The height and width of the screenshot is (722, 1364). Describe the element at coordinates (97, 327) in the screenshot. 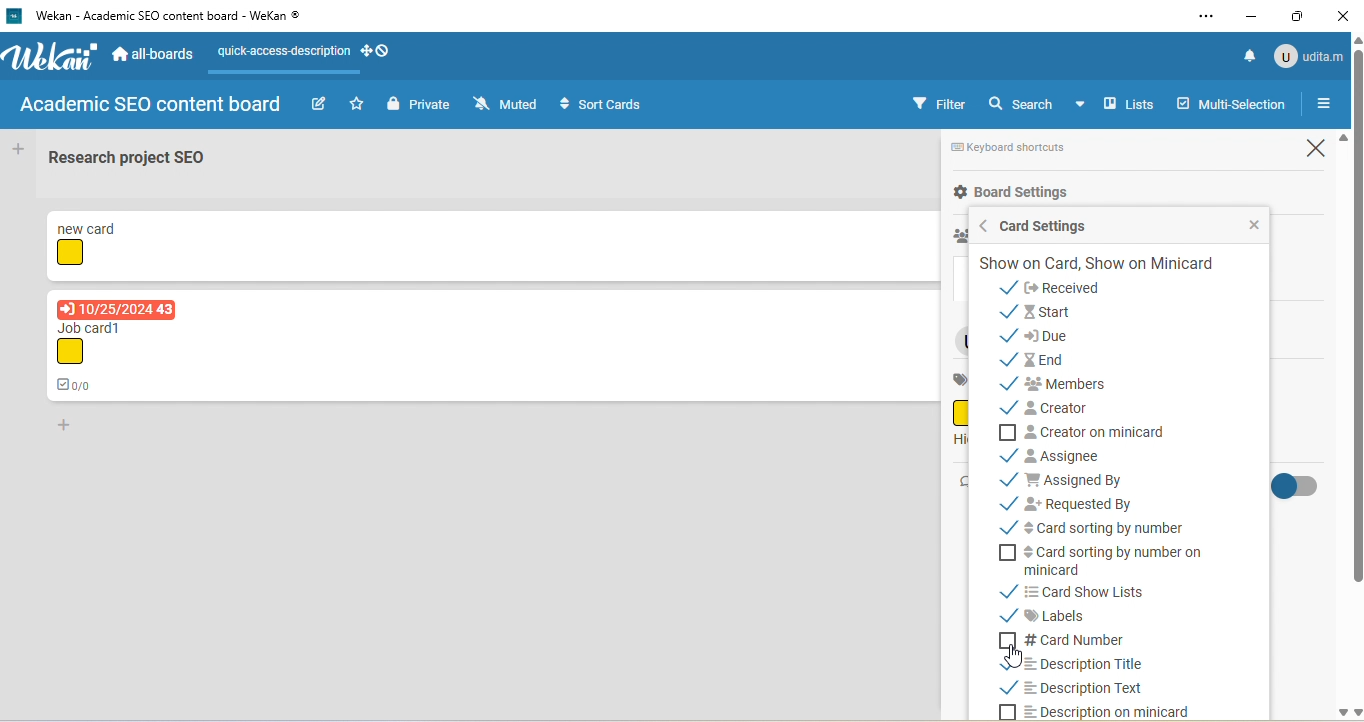

I see `Job card1` at that location.